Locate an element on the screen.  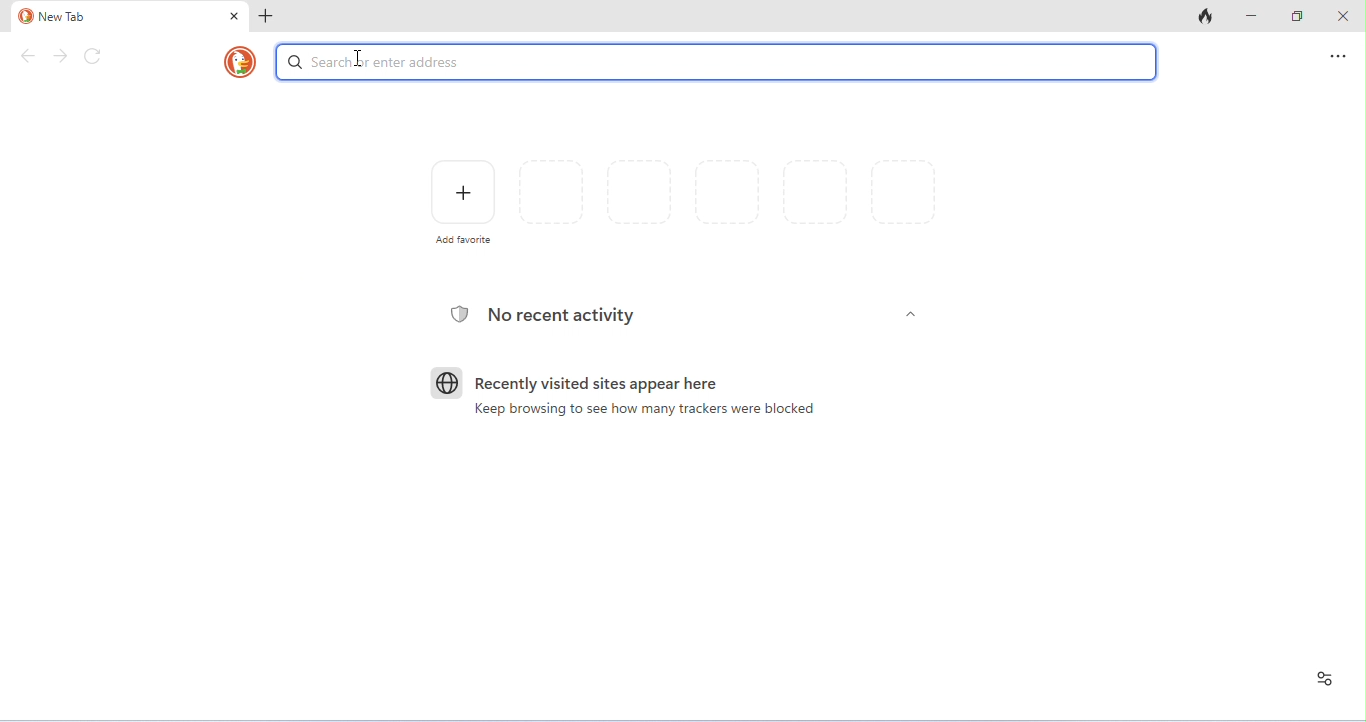
typing cursor is located at coordinates (359, 58).